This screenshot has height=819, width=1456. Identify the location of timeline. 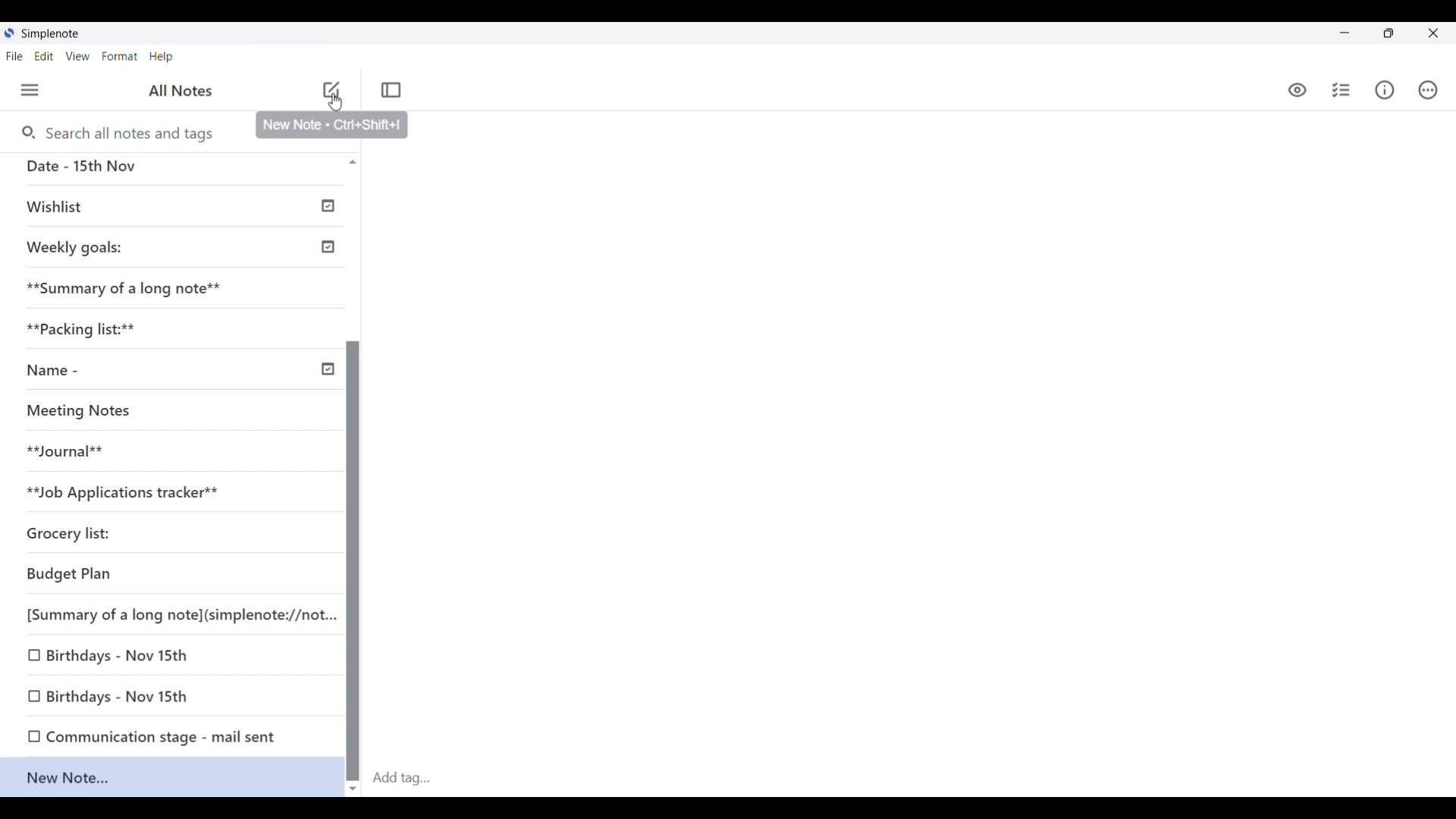
(330, 247).